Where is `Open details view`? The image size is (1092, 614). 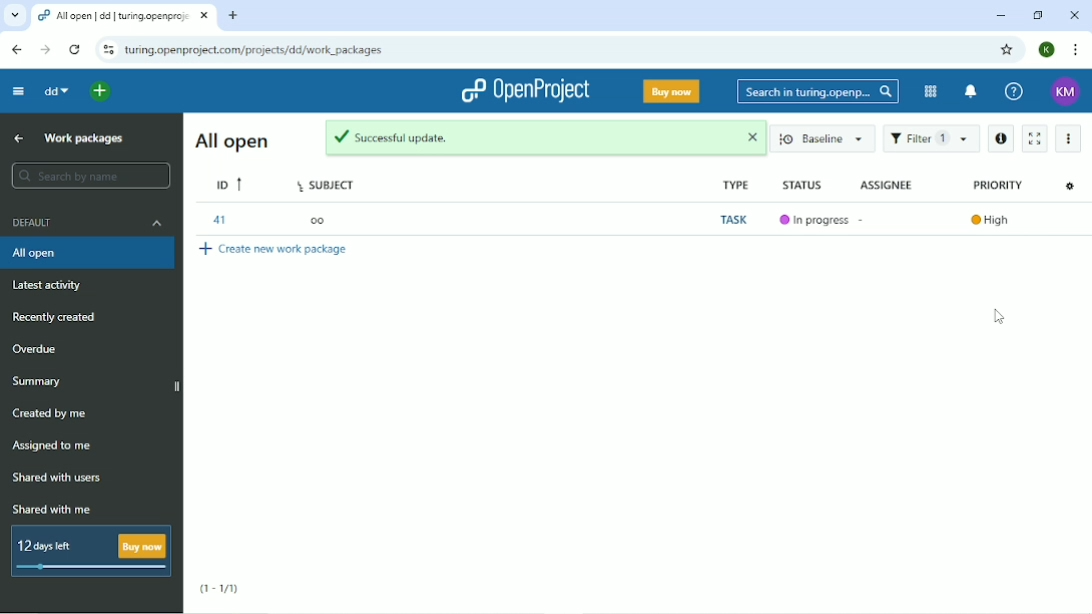
Open details view is located at coordinates (1000, 140).